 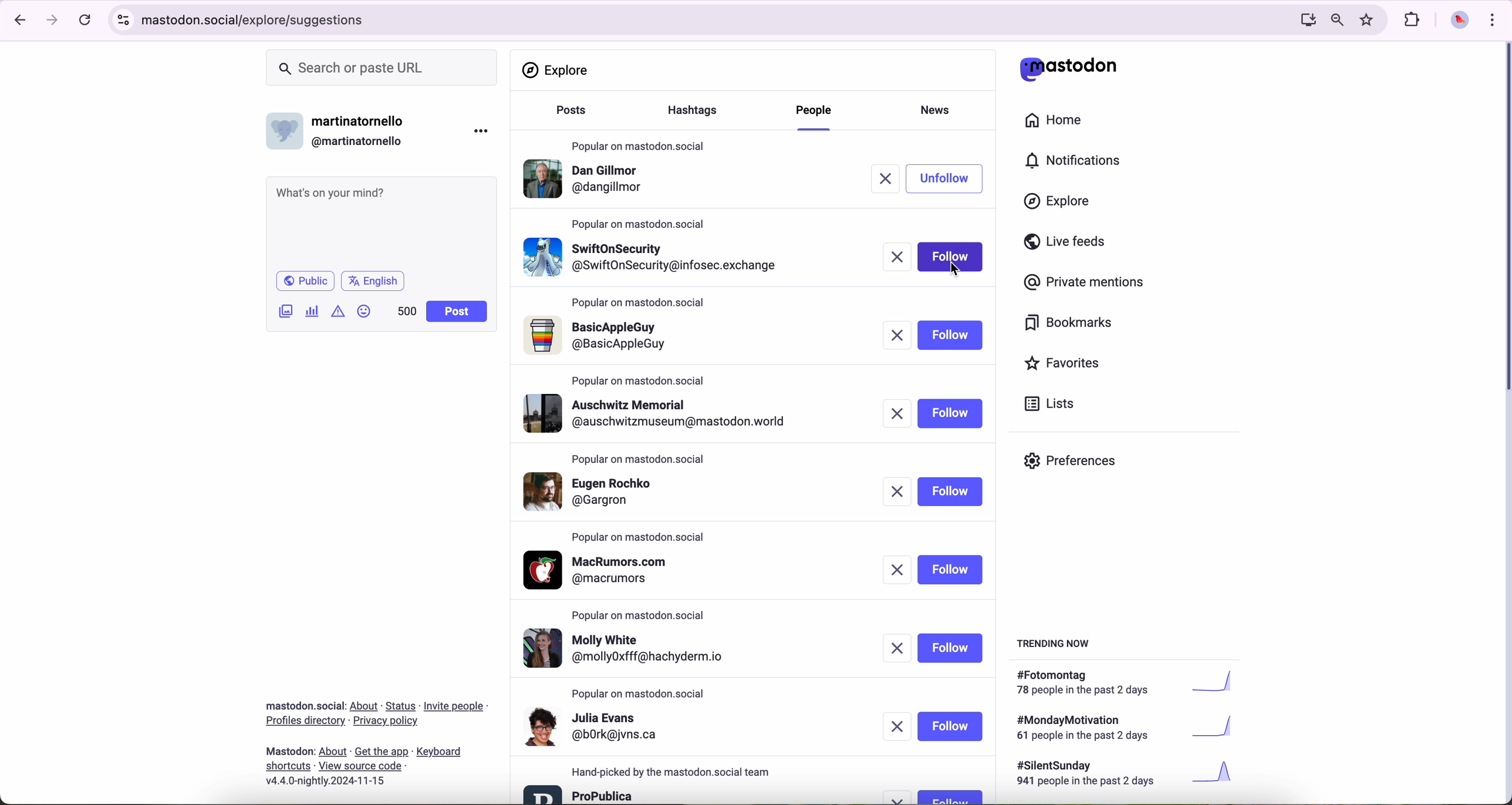 I want to click on profile, so click(x=635, y=649).